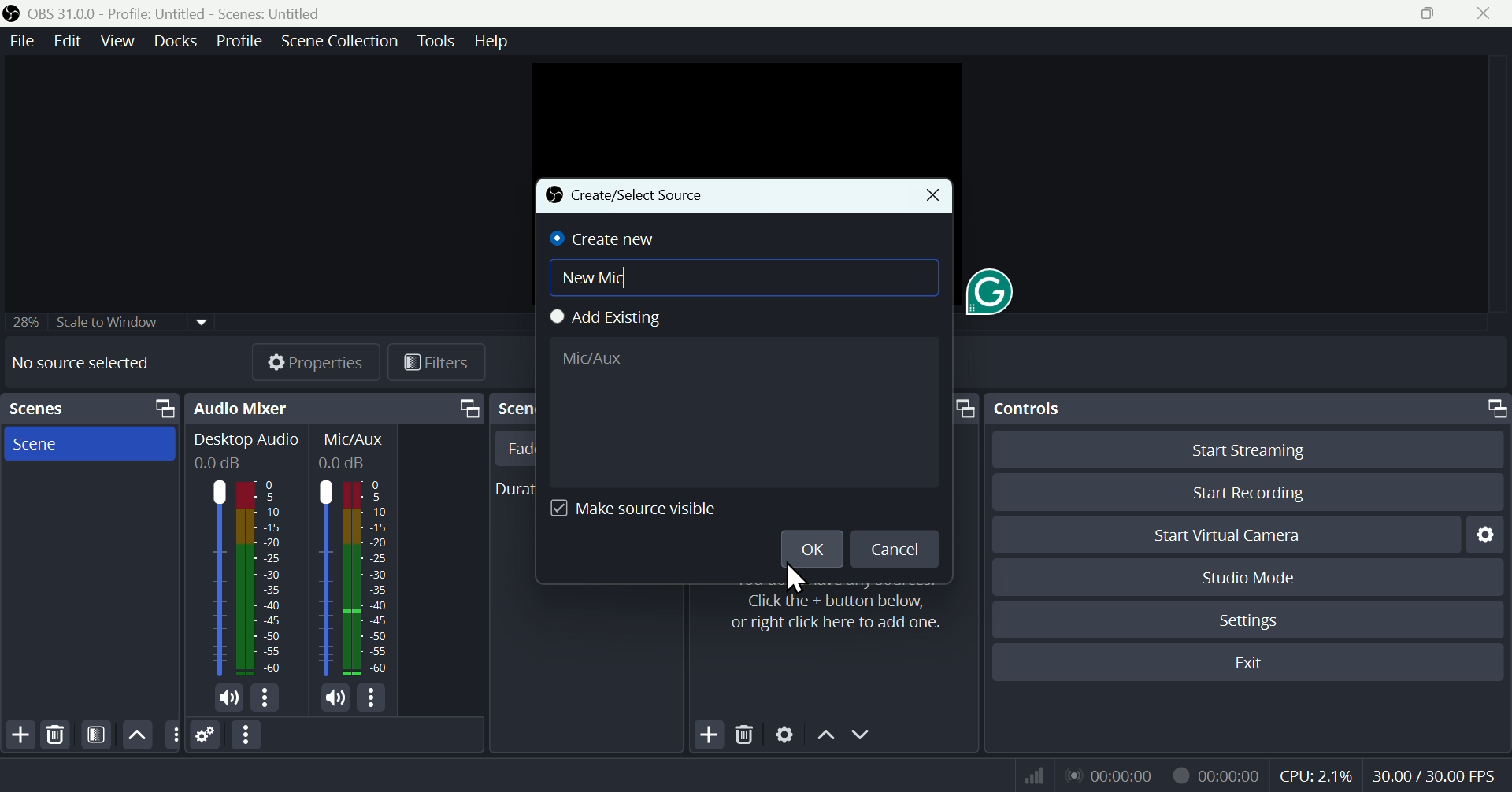 This screenshot has height=792, width=1512. Describe the element at coordinates (366, 578) in the screenshot. I see `Mic/Aux` at that location.